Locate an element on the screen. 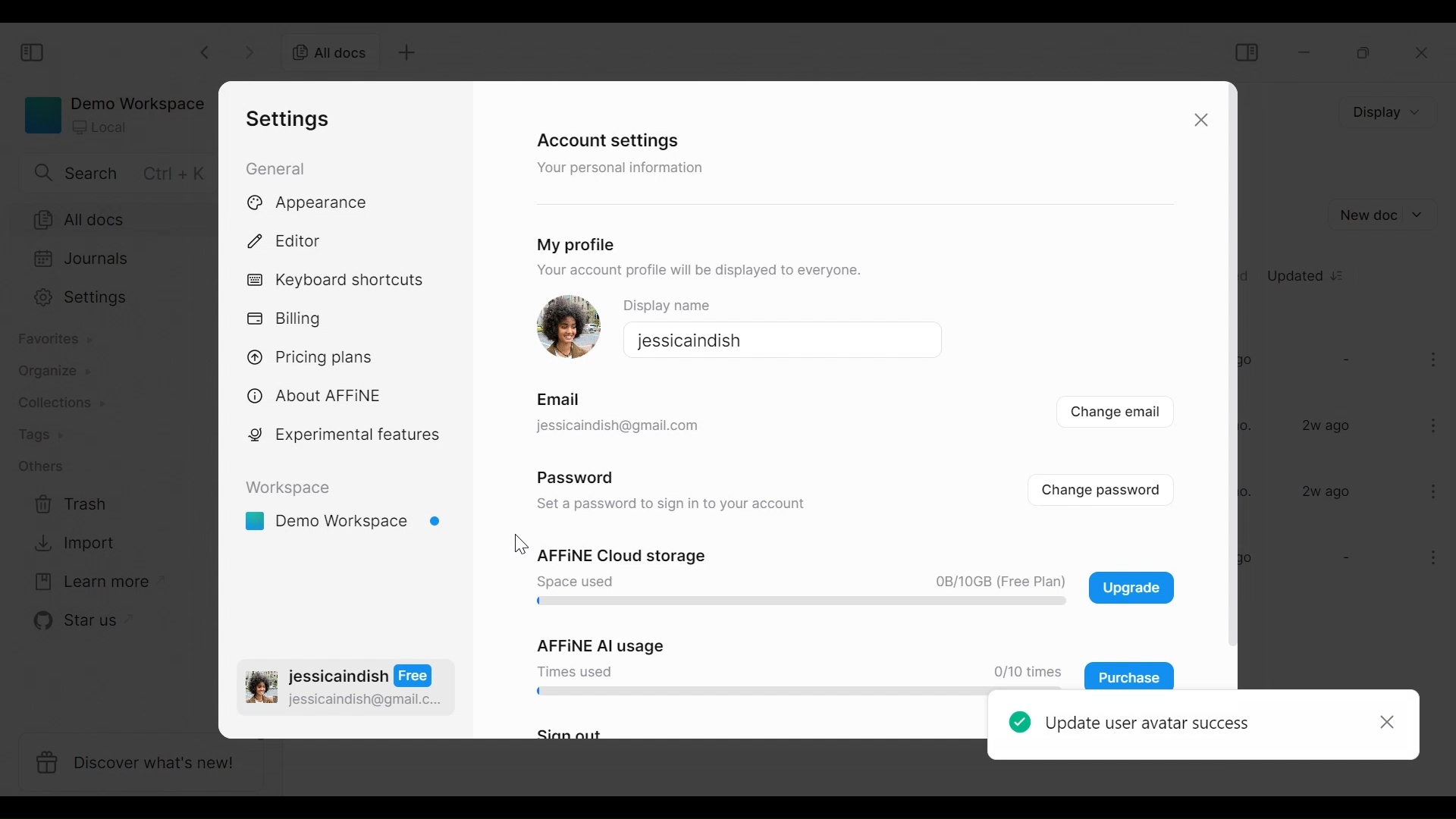 The height and width of the screenshot is (819, 1456). AFFINE Cloud storage is located at coordinates (620, 557).